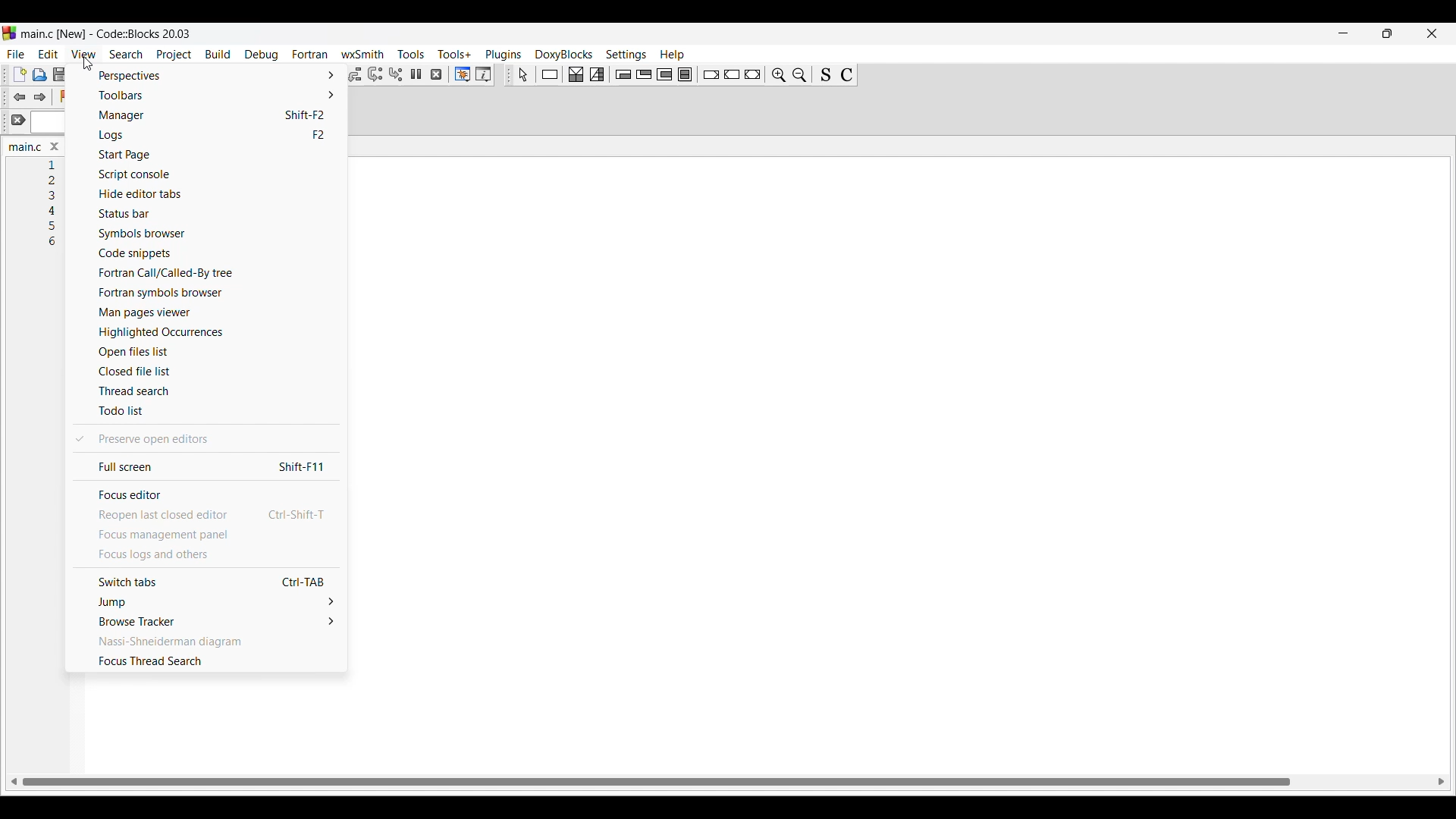 This screenshot has width=1456, height=819. I want to click on wxSmith menu, so click(362, 55).